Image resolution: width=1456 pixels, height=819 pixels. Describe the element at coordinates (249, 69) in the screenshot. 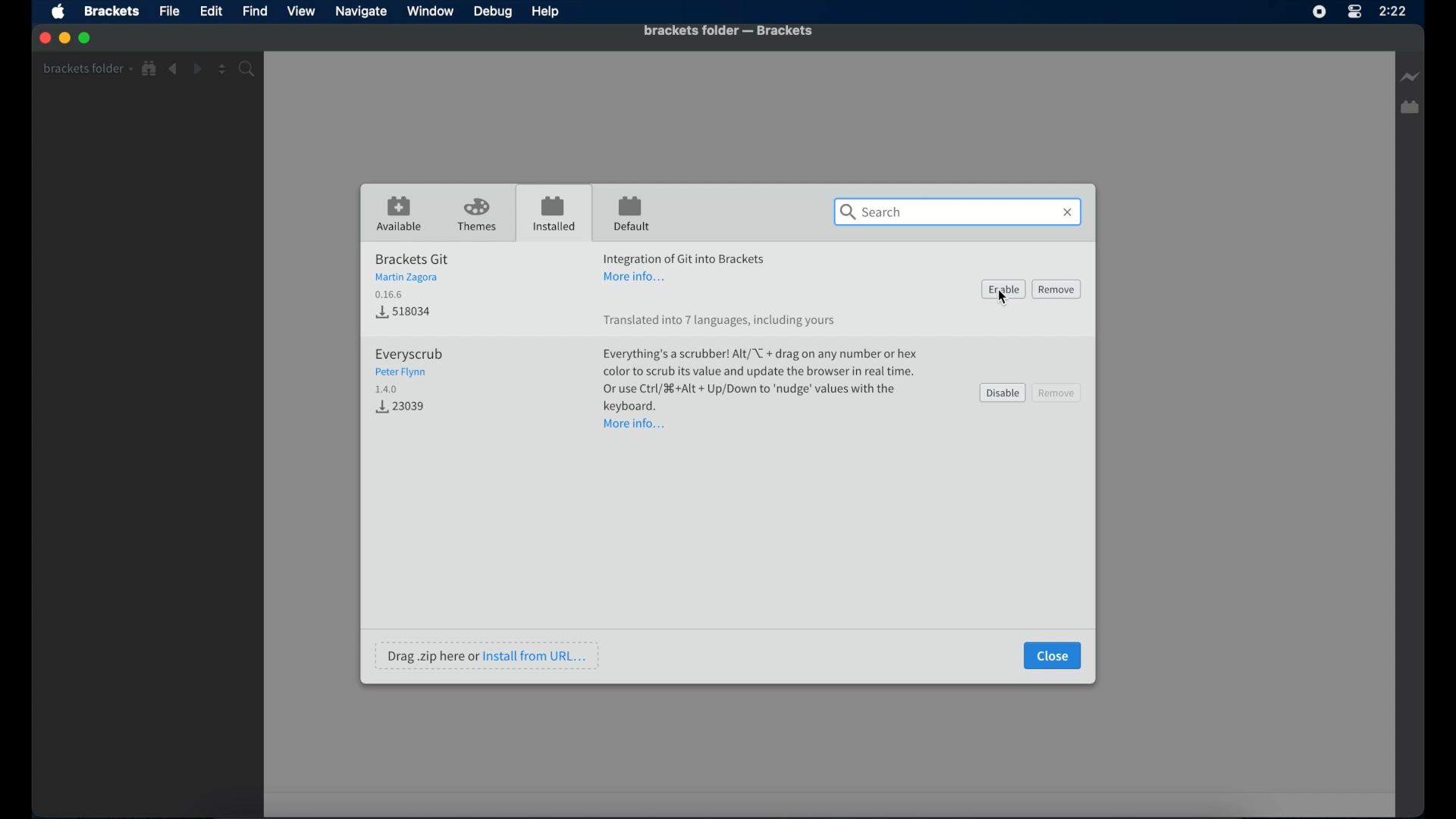

I see `search bar` at that location.